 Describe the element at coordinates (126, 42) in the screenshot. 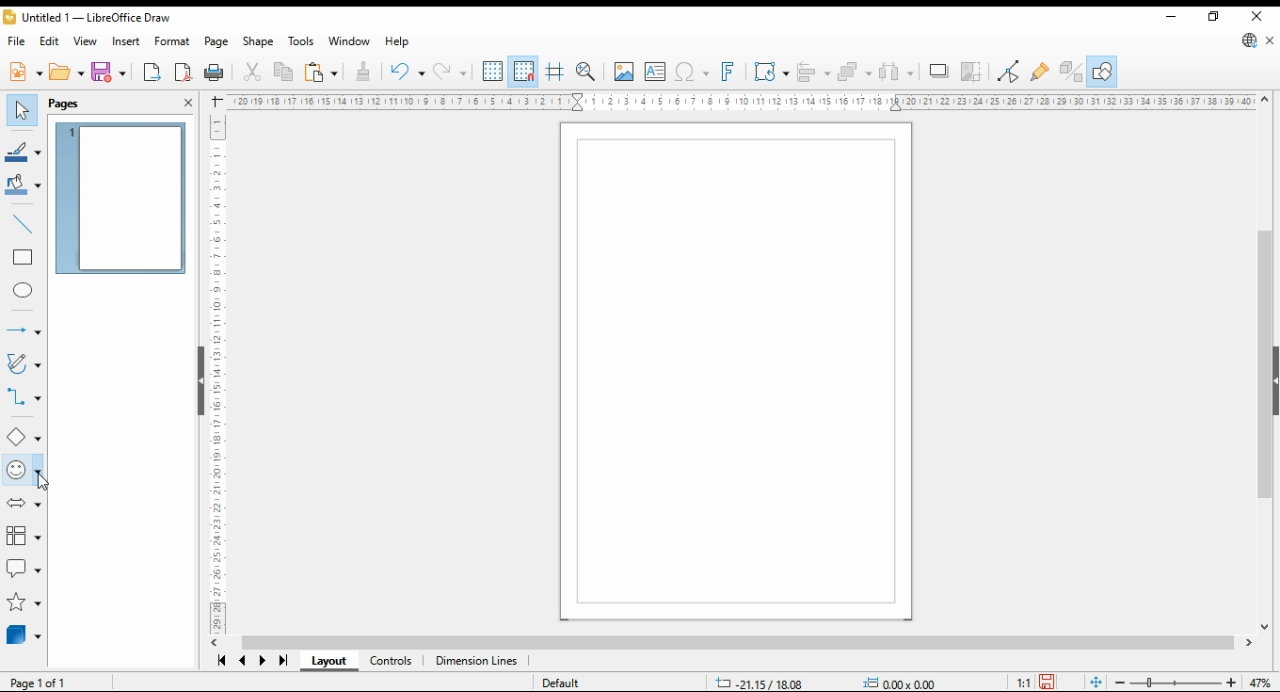

I see `insert` at that location.